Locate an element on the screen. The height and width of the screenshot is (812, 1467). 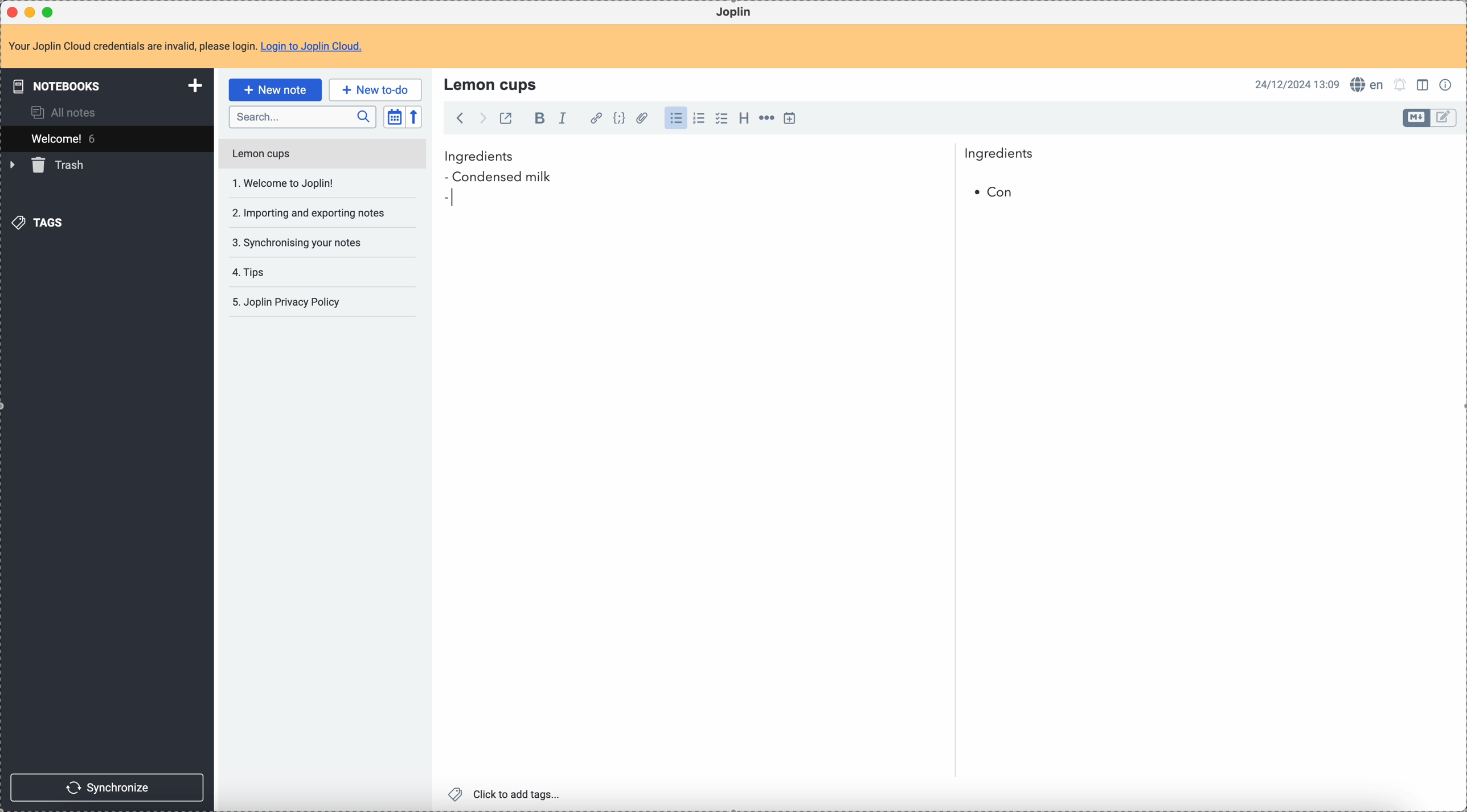
trash is located at coordinates (49, 165).